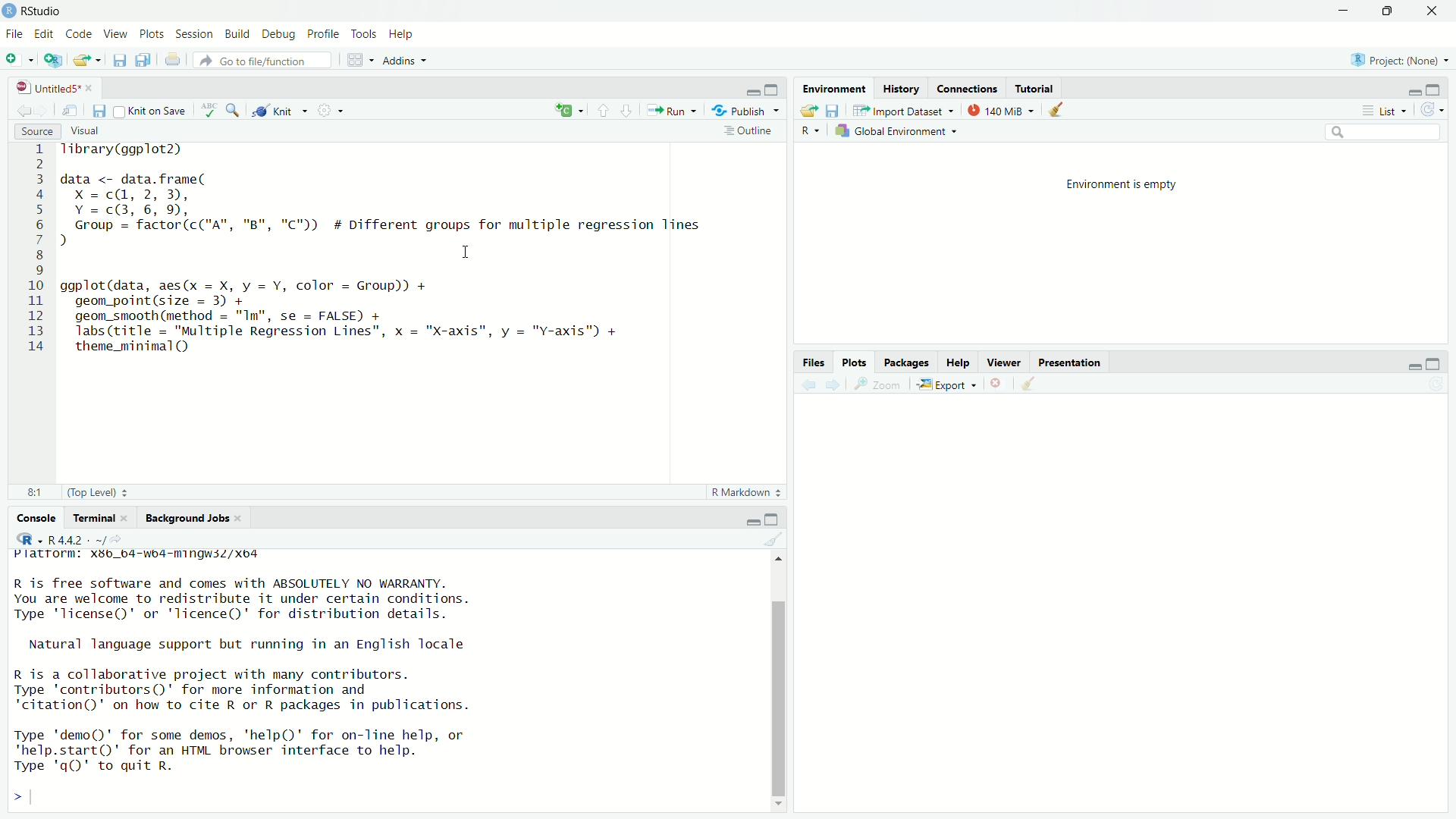  Describe the element at coordinates (27, 518) in the screenshot. I see `Console` at that location.